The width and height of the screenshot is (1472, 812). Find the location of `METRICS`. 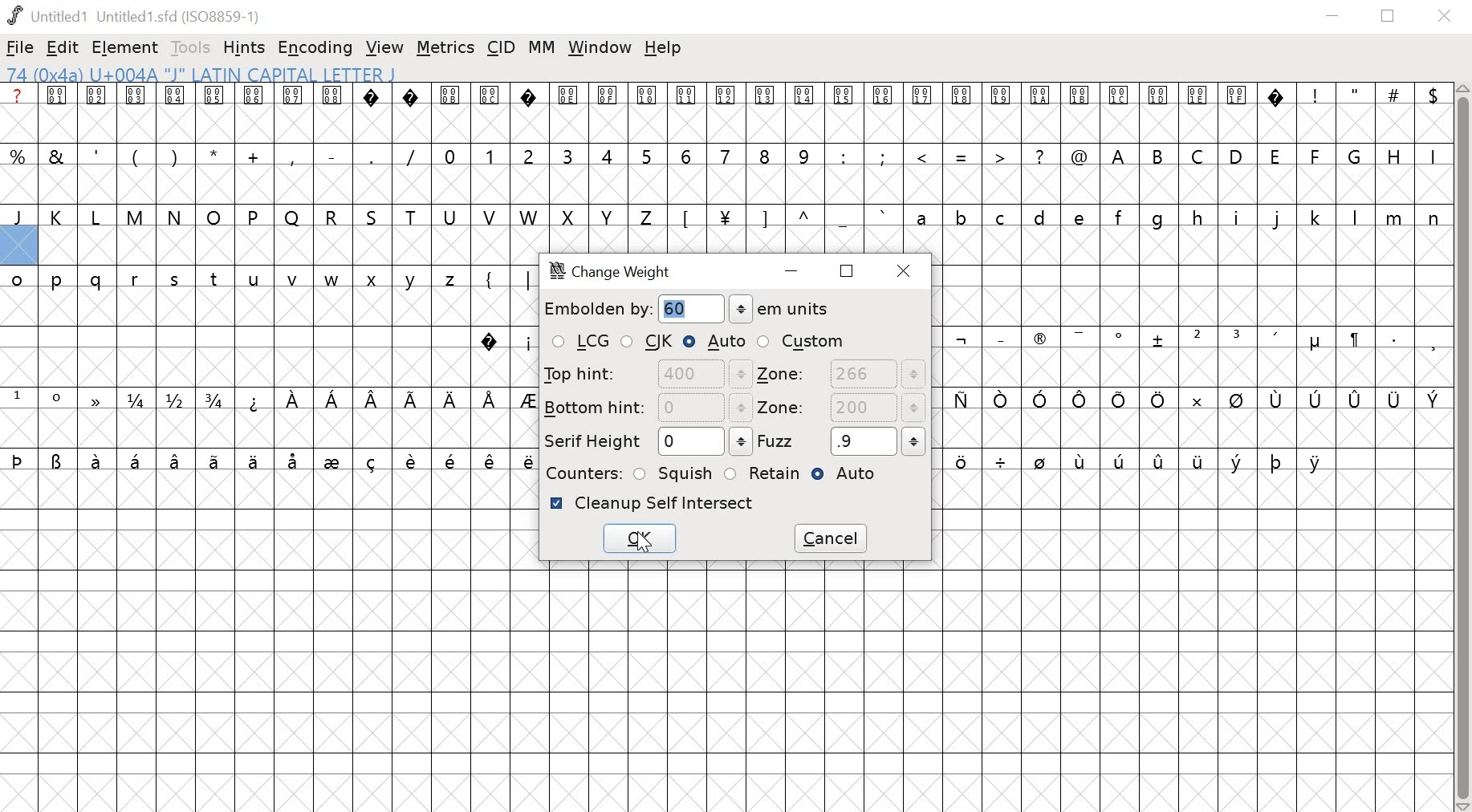

METRICS is located at coordinates (445, 49).